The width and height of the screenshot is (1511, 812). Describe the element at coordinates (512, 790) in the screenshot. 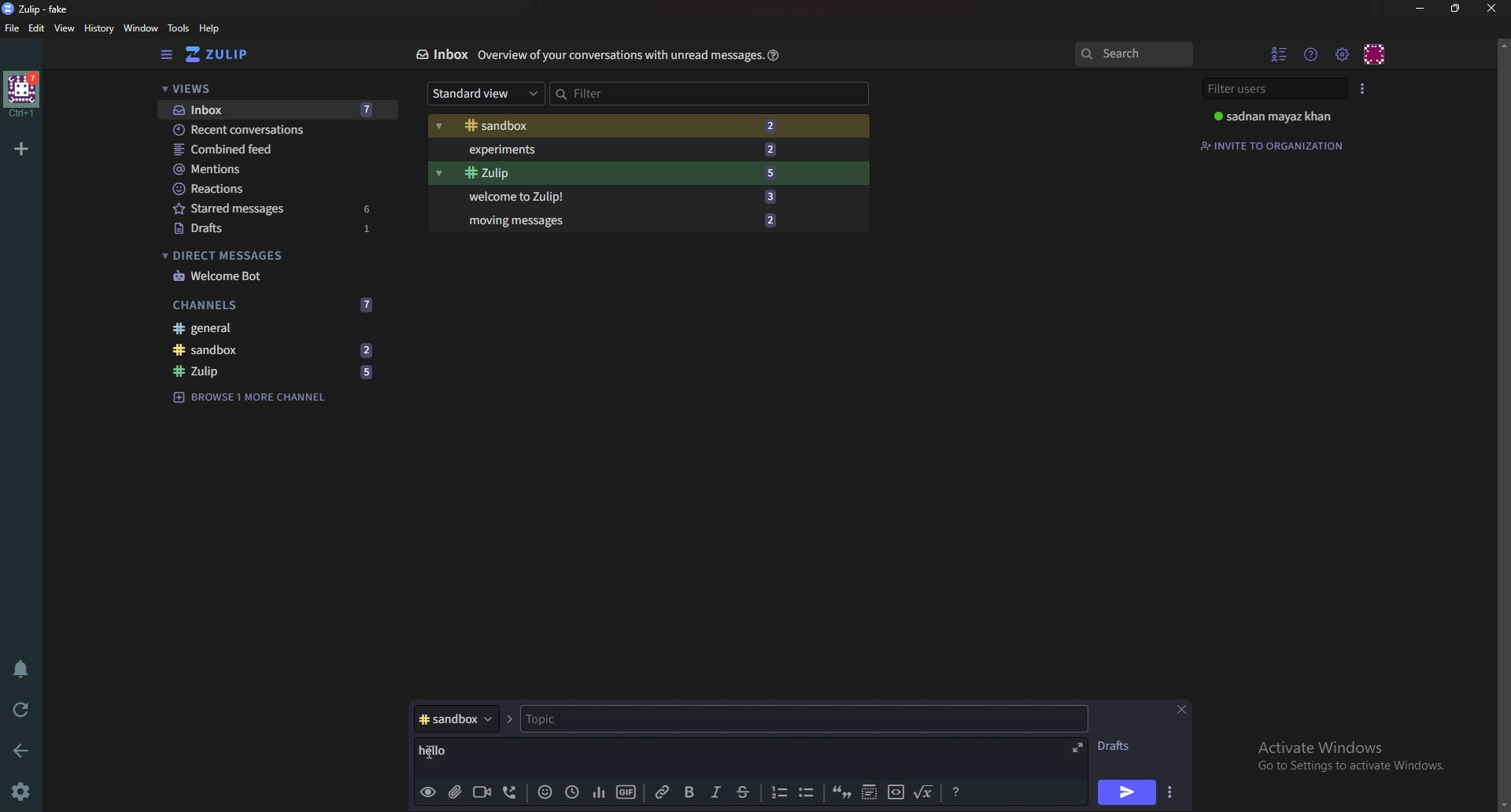

I see `voice call` at that location.